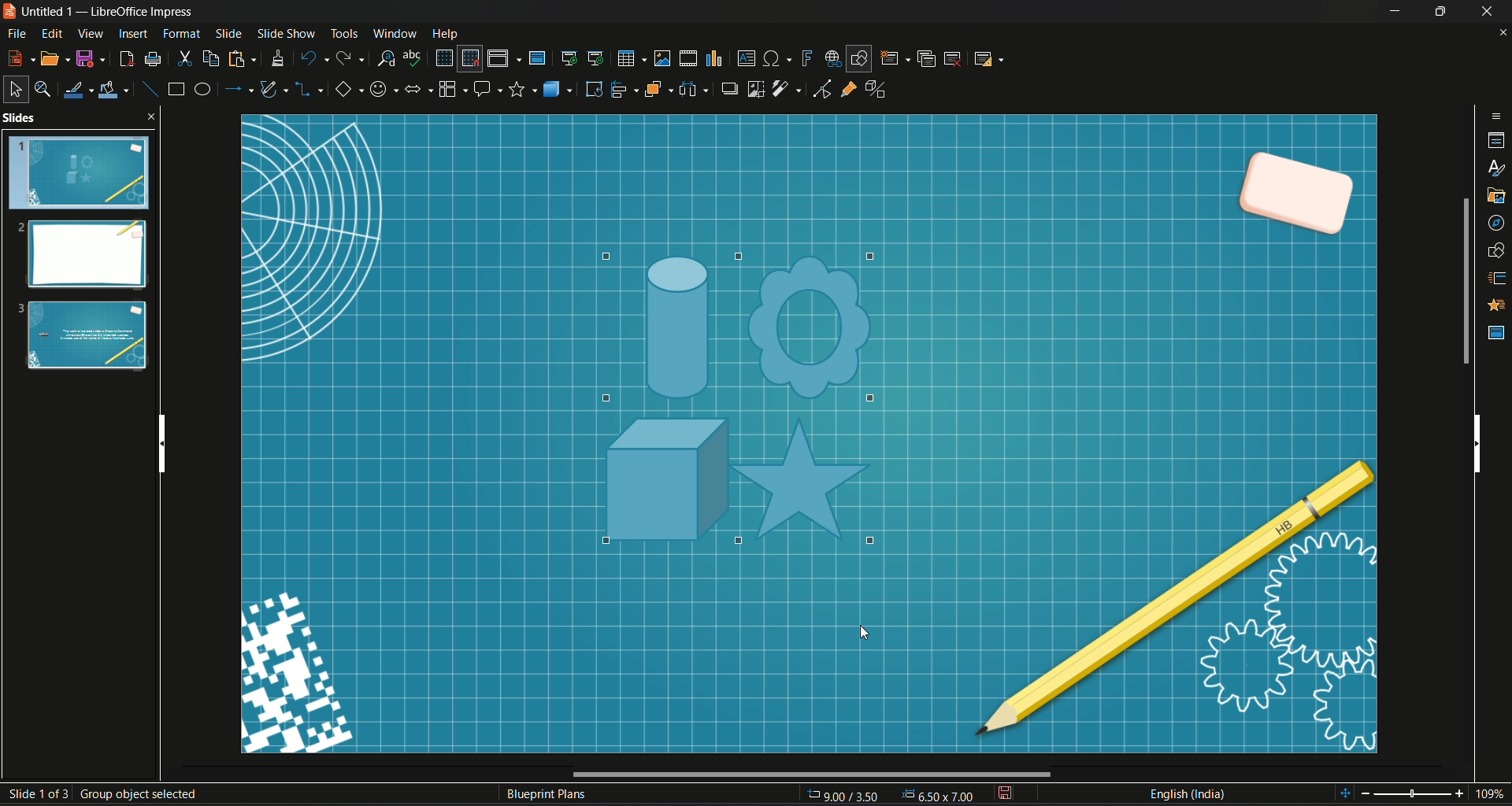 The width and height of the screenshot is (1512, 806). What do you see at coordinates (687, 58) in the screenshot?
I see `insert audio video` at bounding box center [687, 58].